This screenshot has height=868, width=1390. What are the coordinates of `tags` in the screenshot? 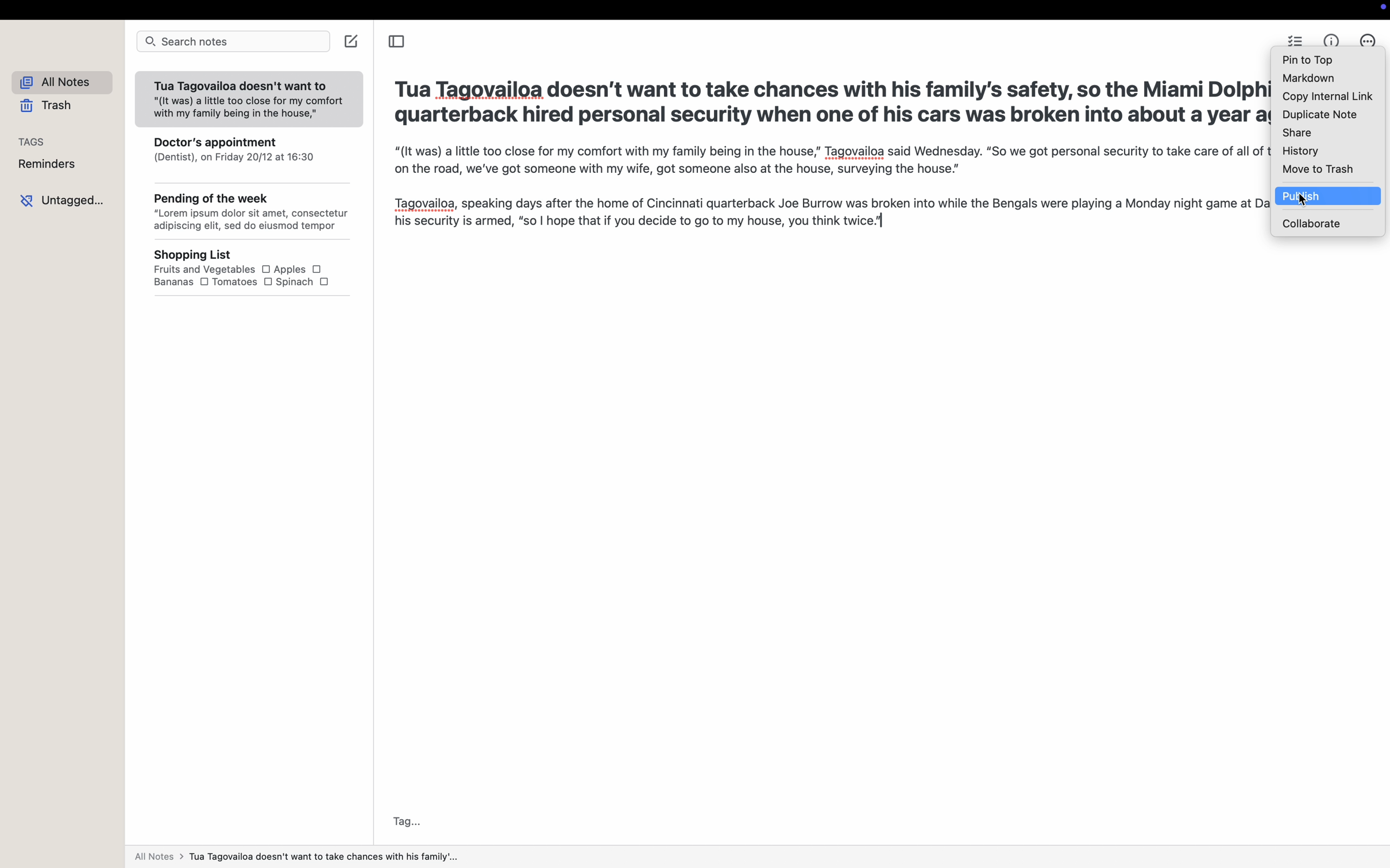 It's located at (33, 141).